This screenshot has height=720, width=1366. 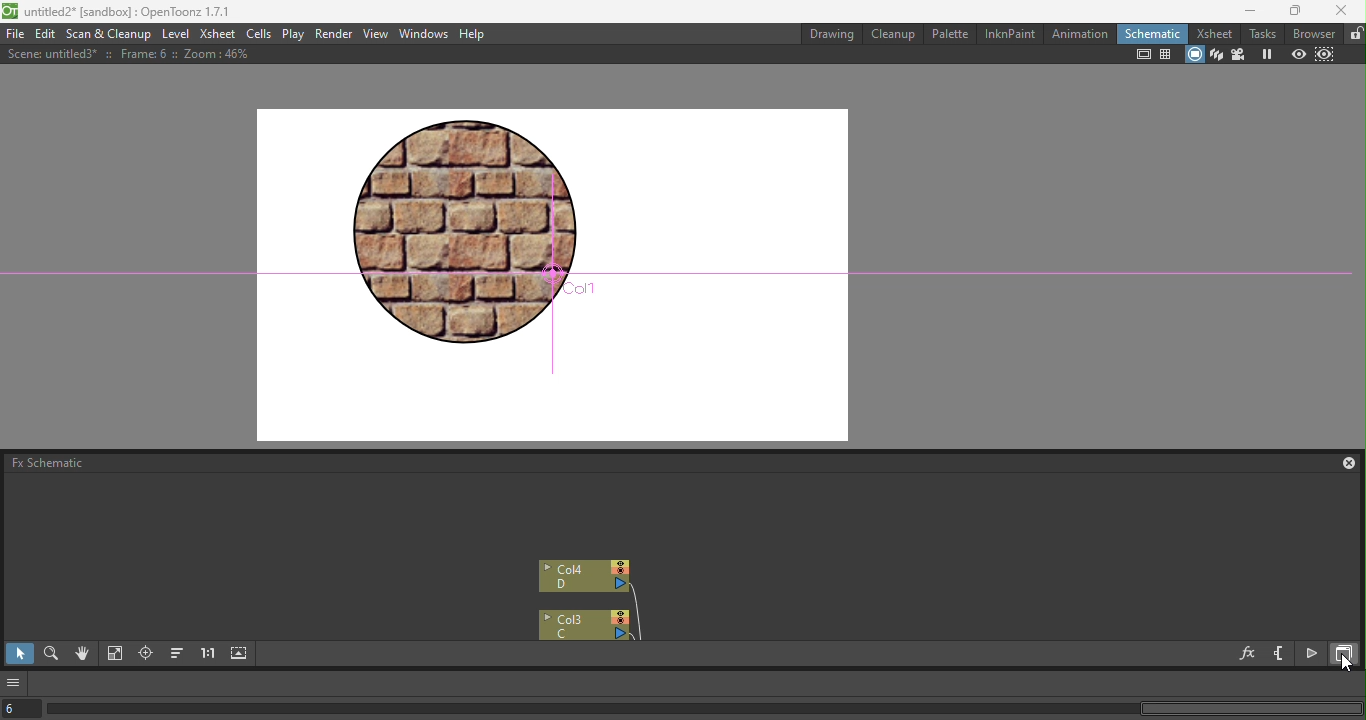 I want to click on Toggle Fx/Stage Schematic, so click(x=1347, y=654).